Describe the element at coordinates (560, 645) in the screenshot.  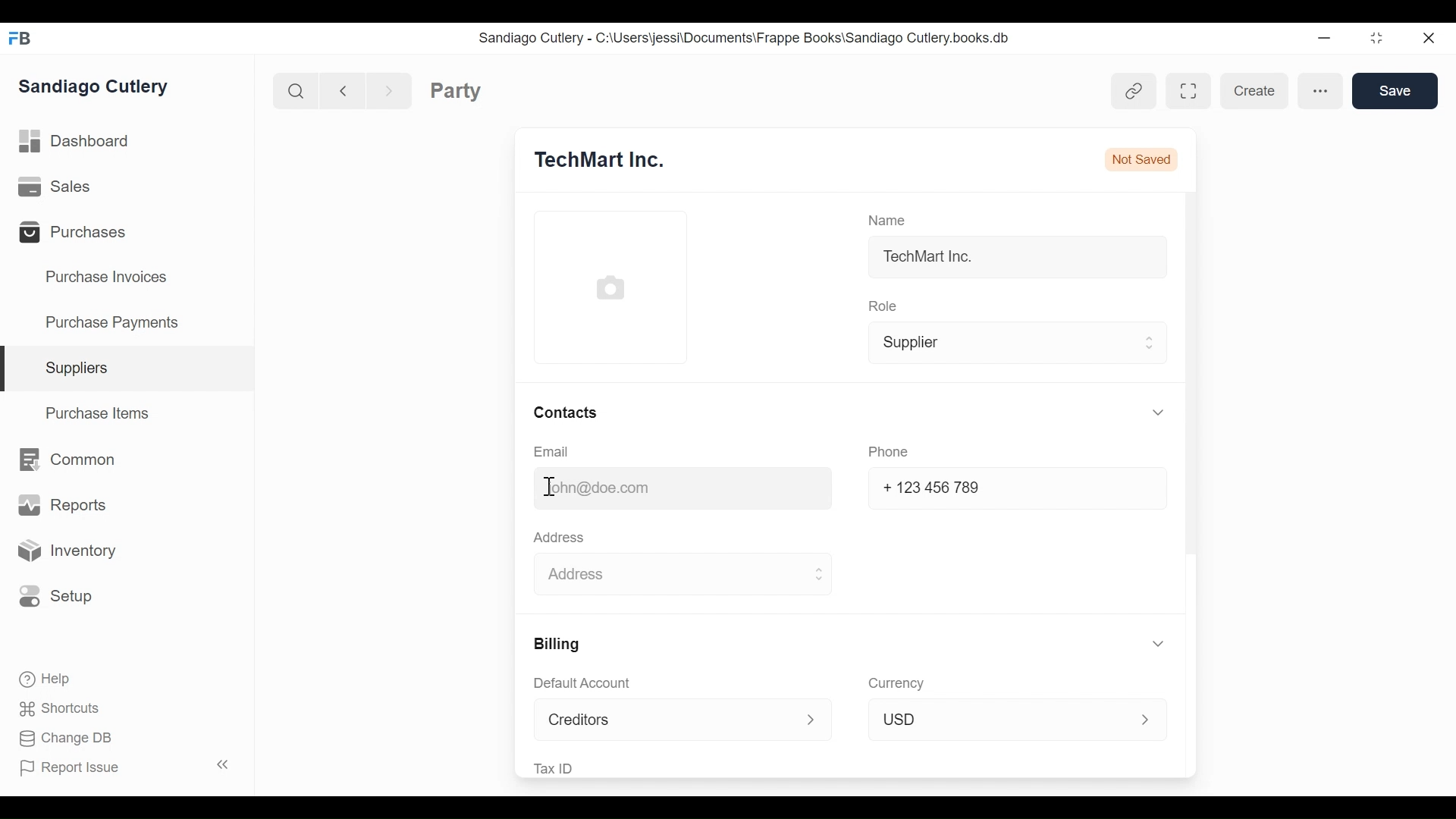
I see `Billing` at that location.